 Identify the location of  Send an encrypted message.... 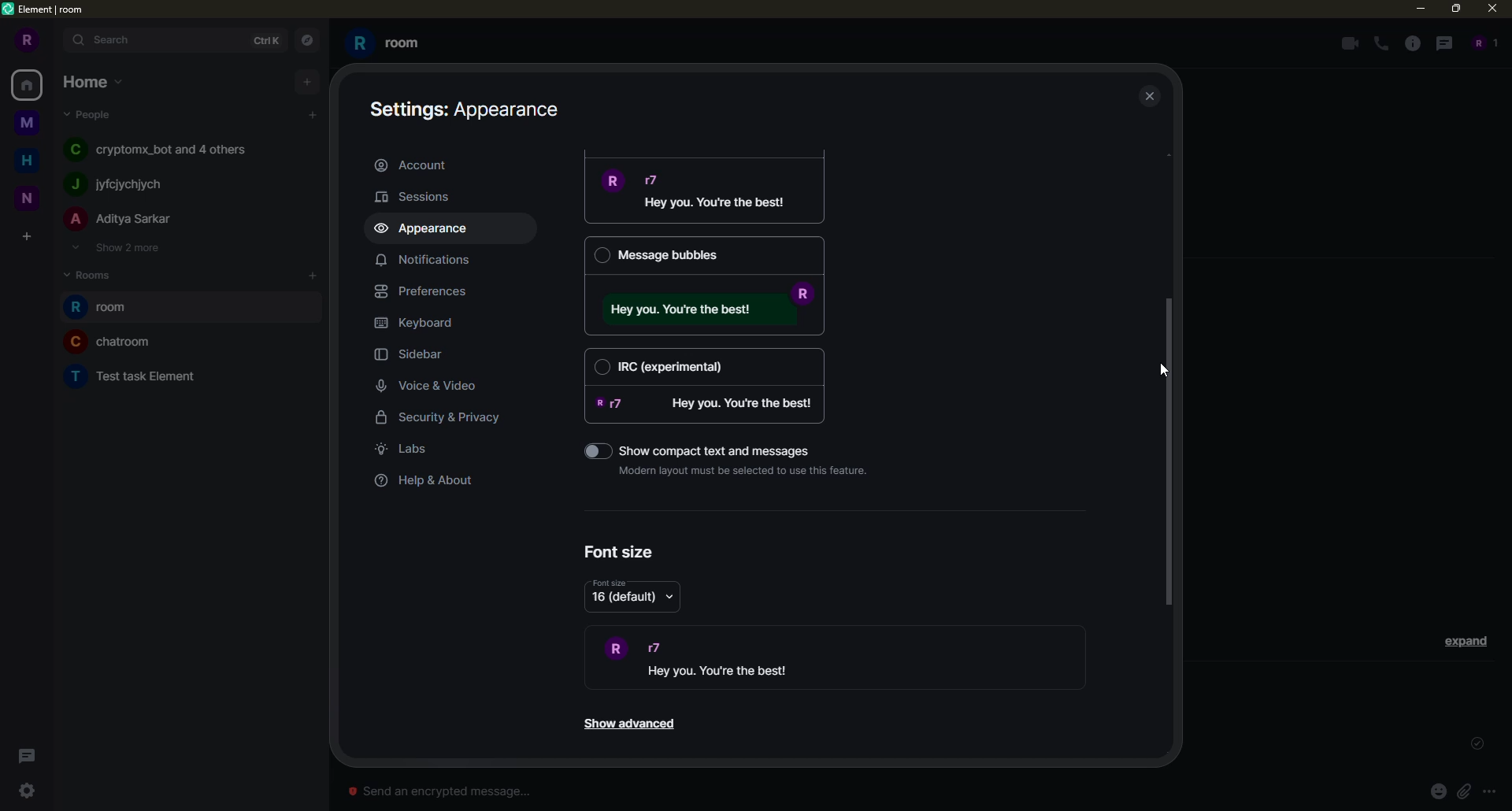
(439, 791).